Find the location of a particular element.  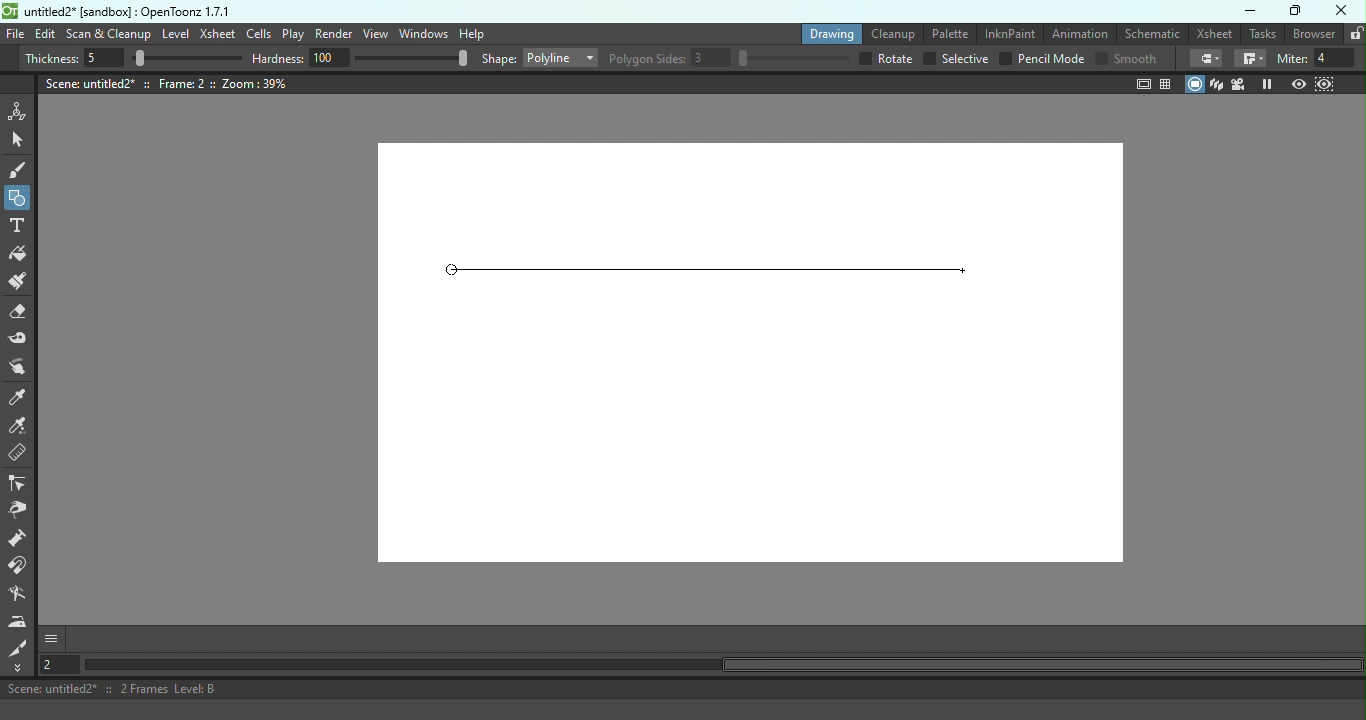

RGB picker tool is located at coordinates (21, 428).